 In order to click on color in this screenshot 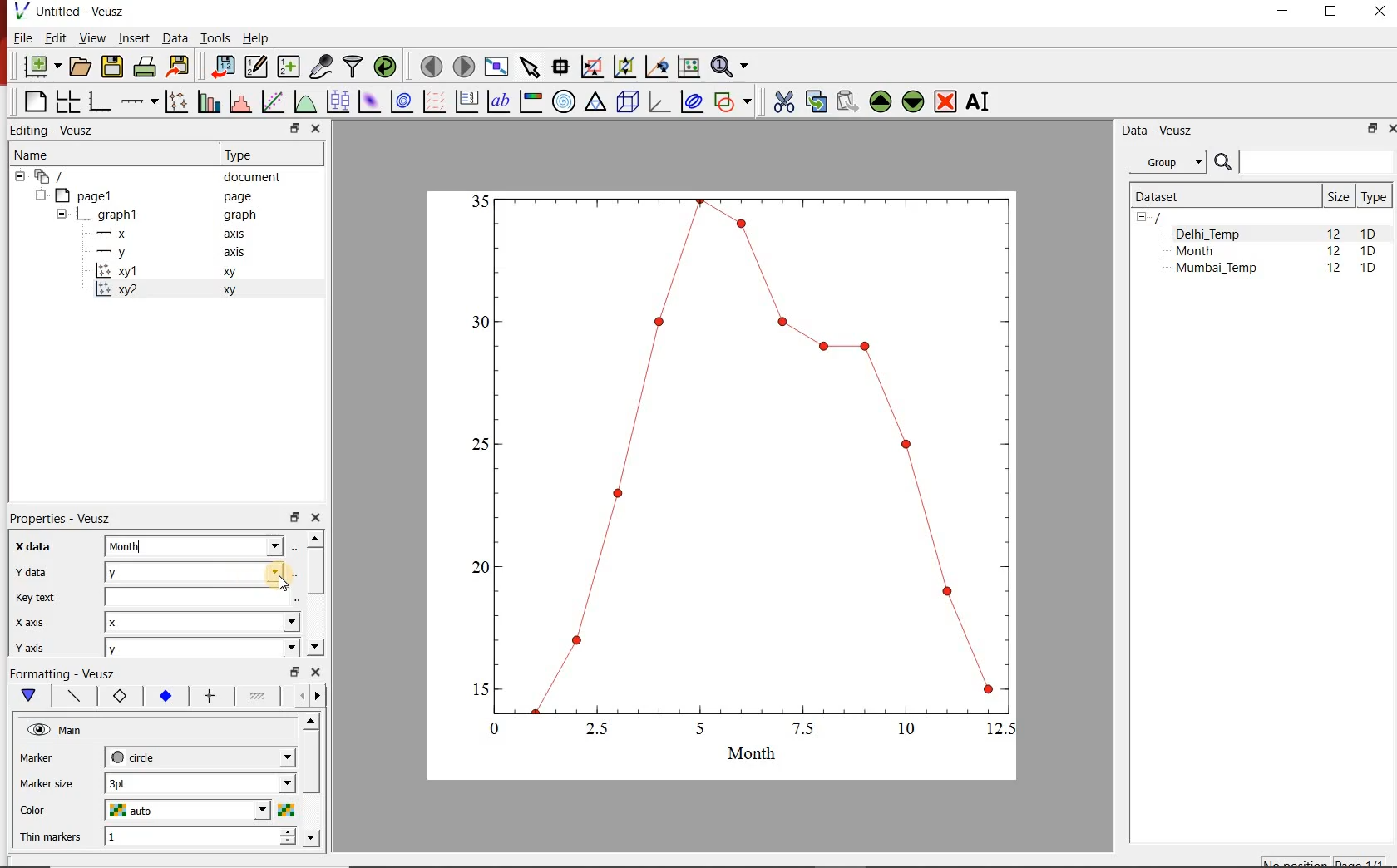, I will do `click(47, 811)`.